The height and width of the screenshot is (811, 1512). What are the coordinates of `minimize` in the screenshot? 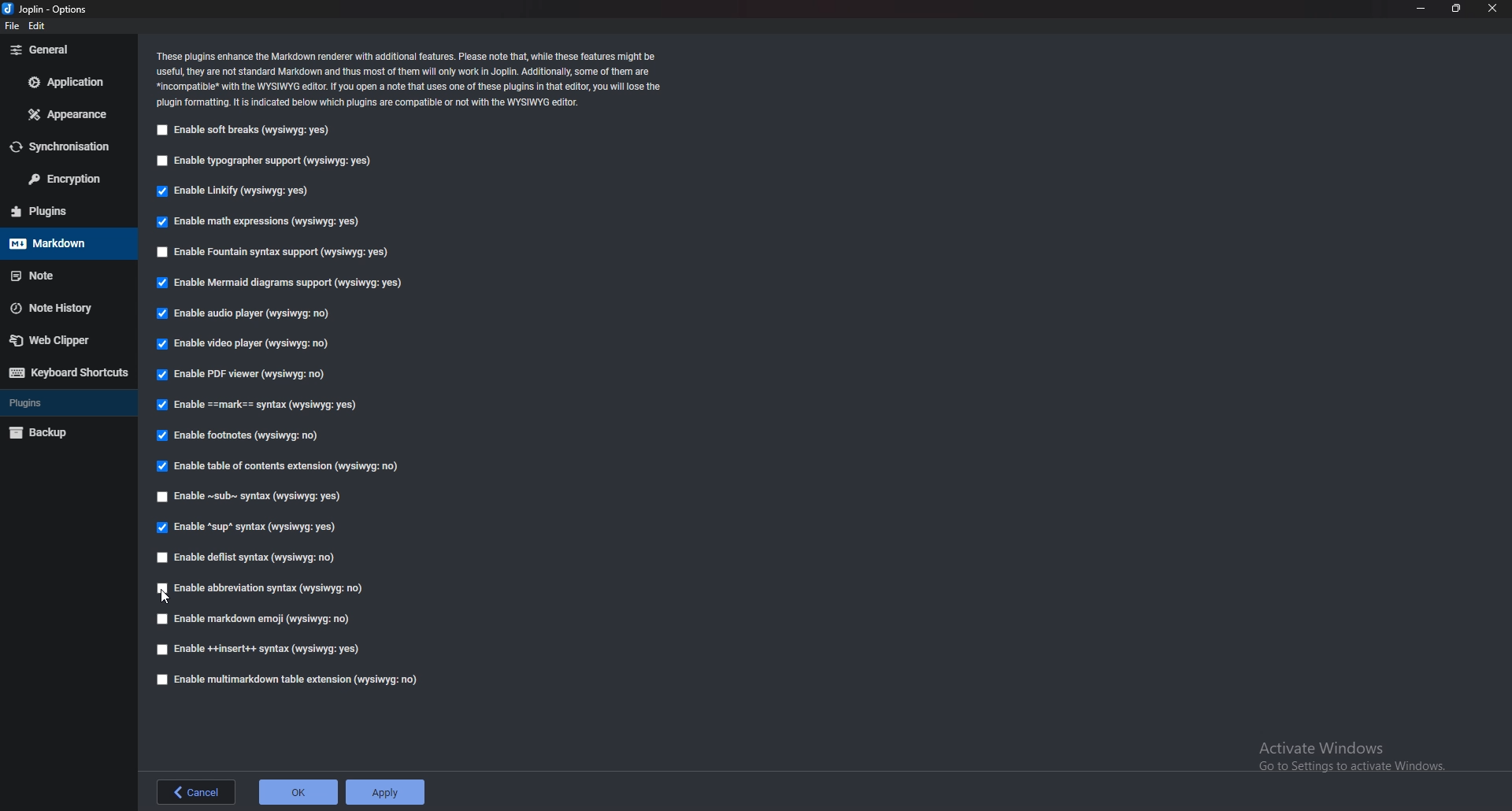 It's located at (1419, 7).